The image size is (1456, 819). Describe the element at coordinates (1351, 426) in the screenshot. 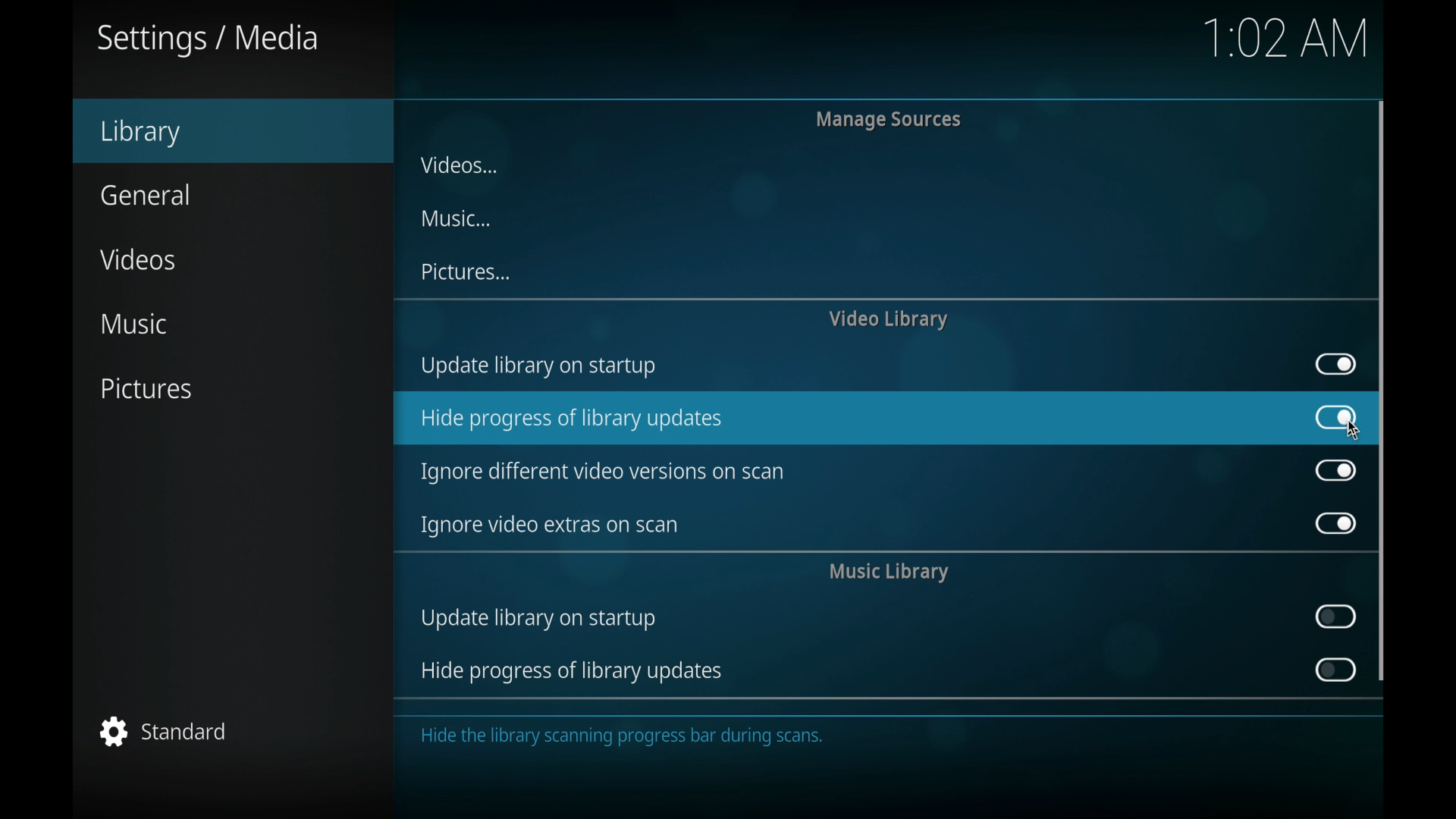

I see `cursor` at that location.